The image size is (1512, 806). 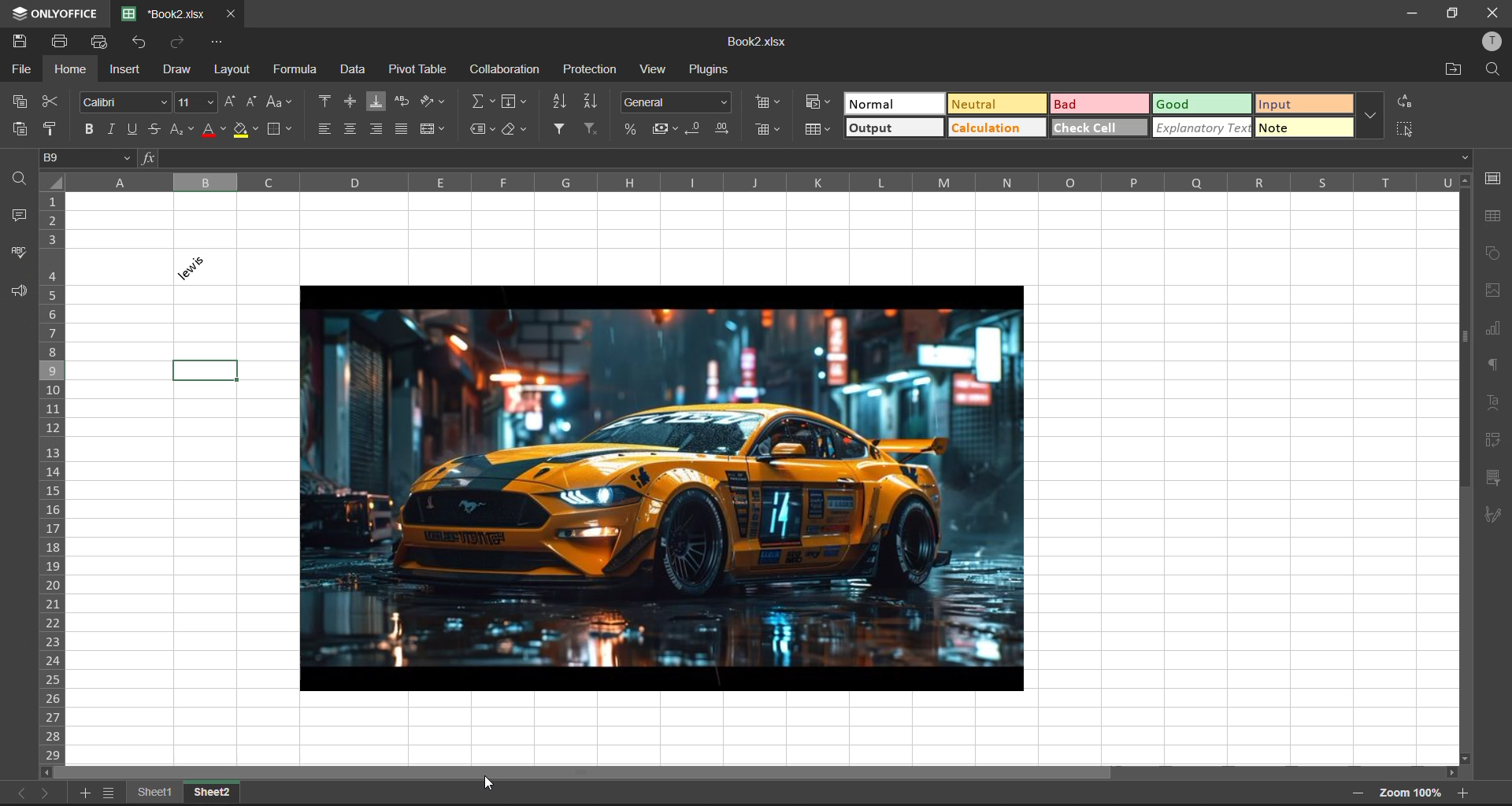 What do you see at coordinates (663, 482) in the screenshot?
I see `picture` at bounding box center [663, 482].